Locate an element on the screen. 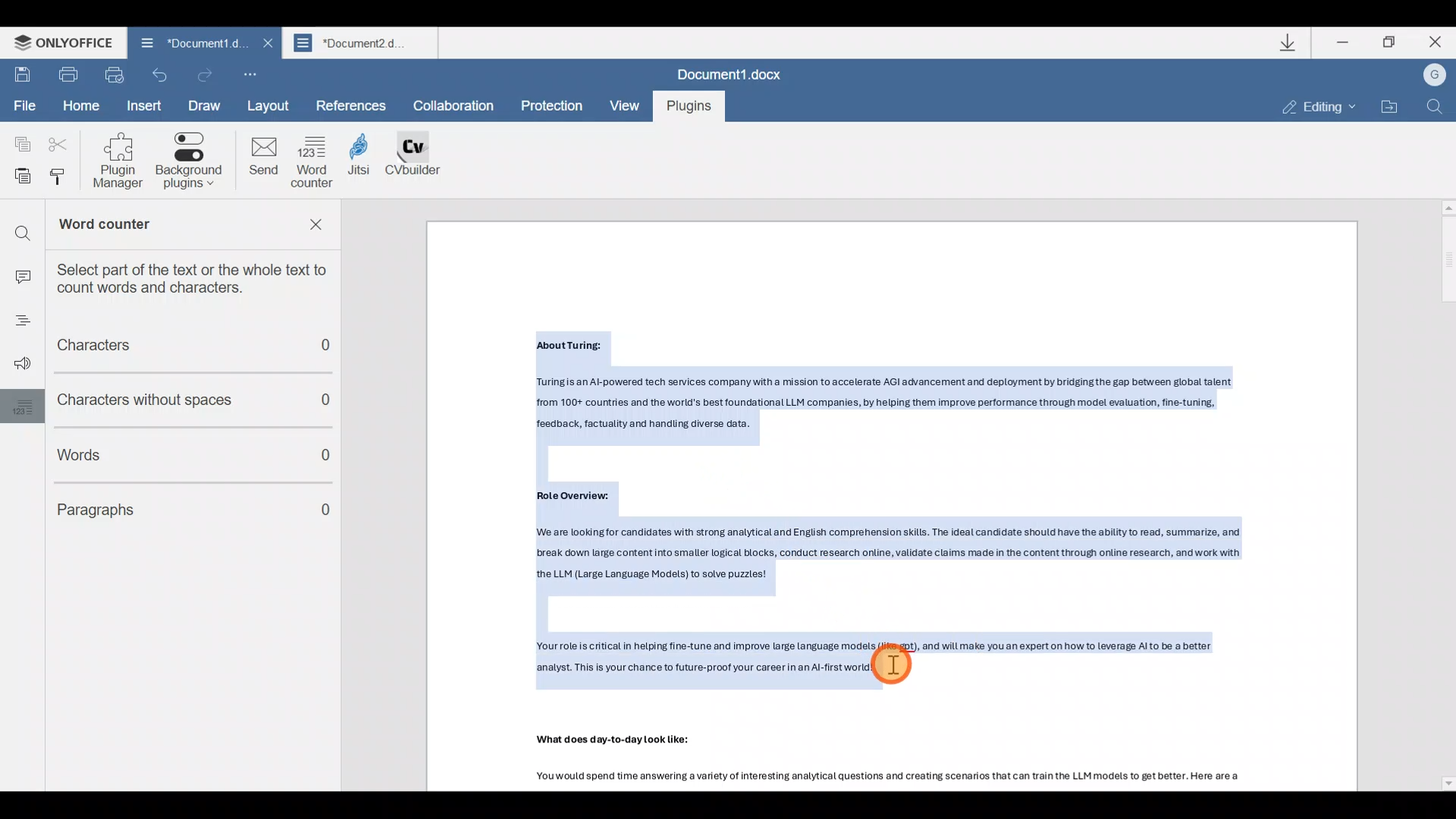  Layout is located at coordinates (274, 104).